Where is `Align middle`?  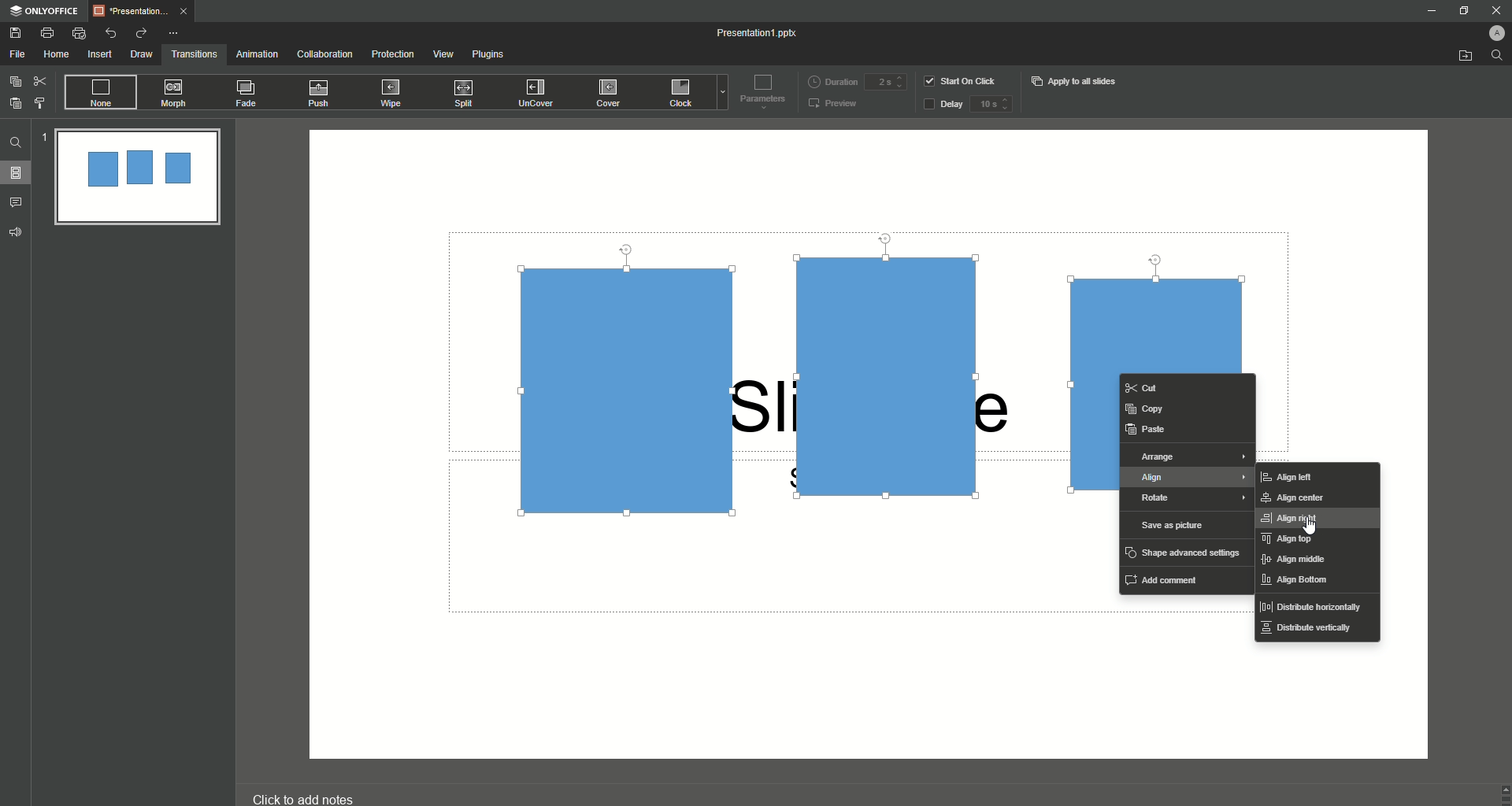 Align middle is located at coordinates (1293, 561).